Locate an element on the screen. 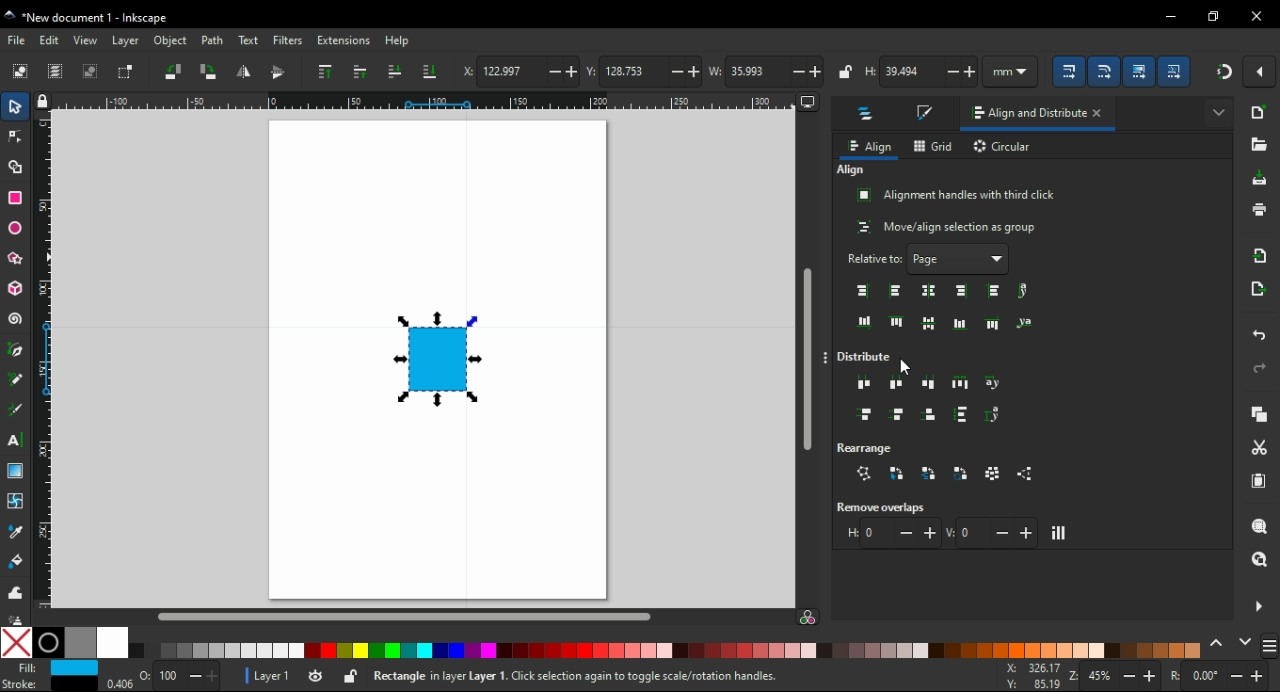 The image size is (1280, 692). align is located at coordinates (851, 170).